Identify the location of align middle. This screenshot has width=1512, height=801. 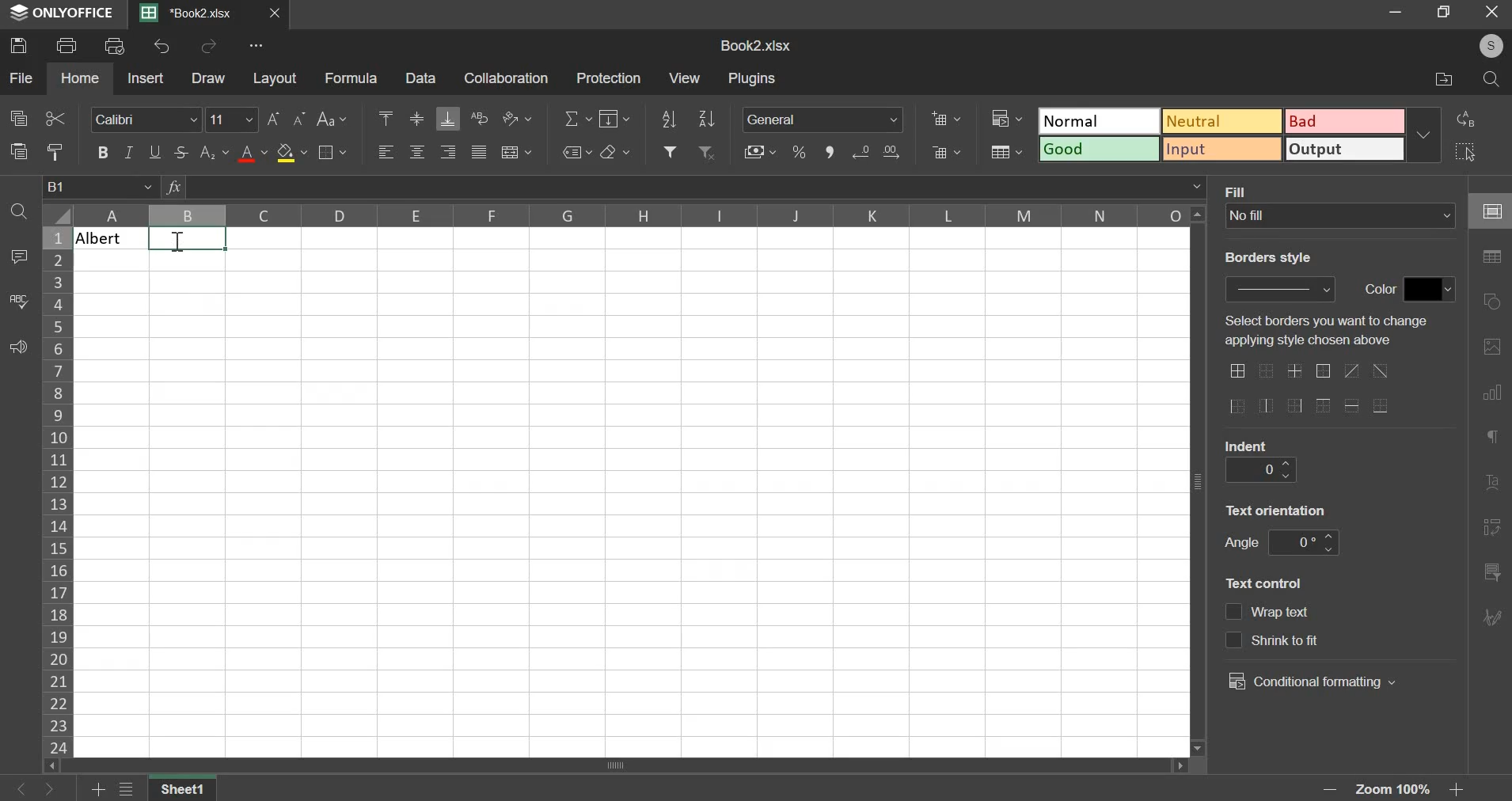
(420, 119).